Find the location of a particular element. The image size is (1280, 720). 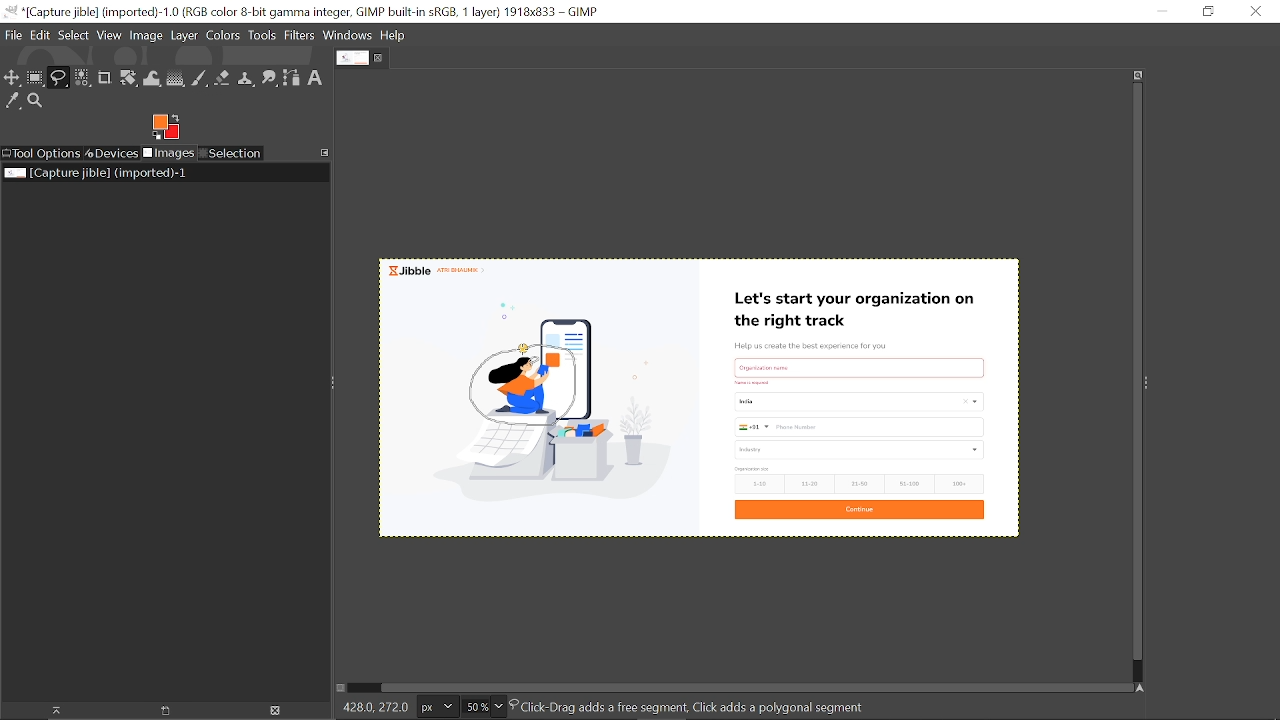

Paintbrush tool is located at coordinates (200, 79).